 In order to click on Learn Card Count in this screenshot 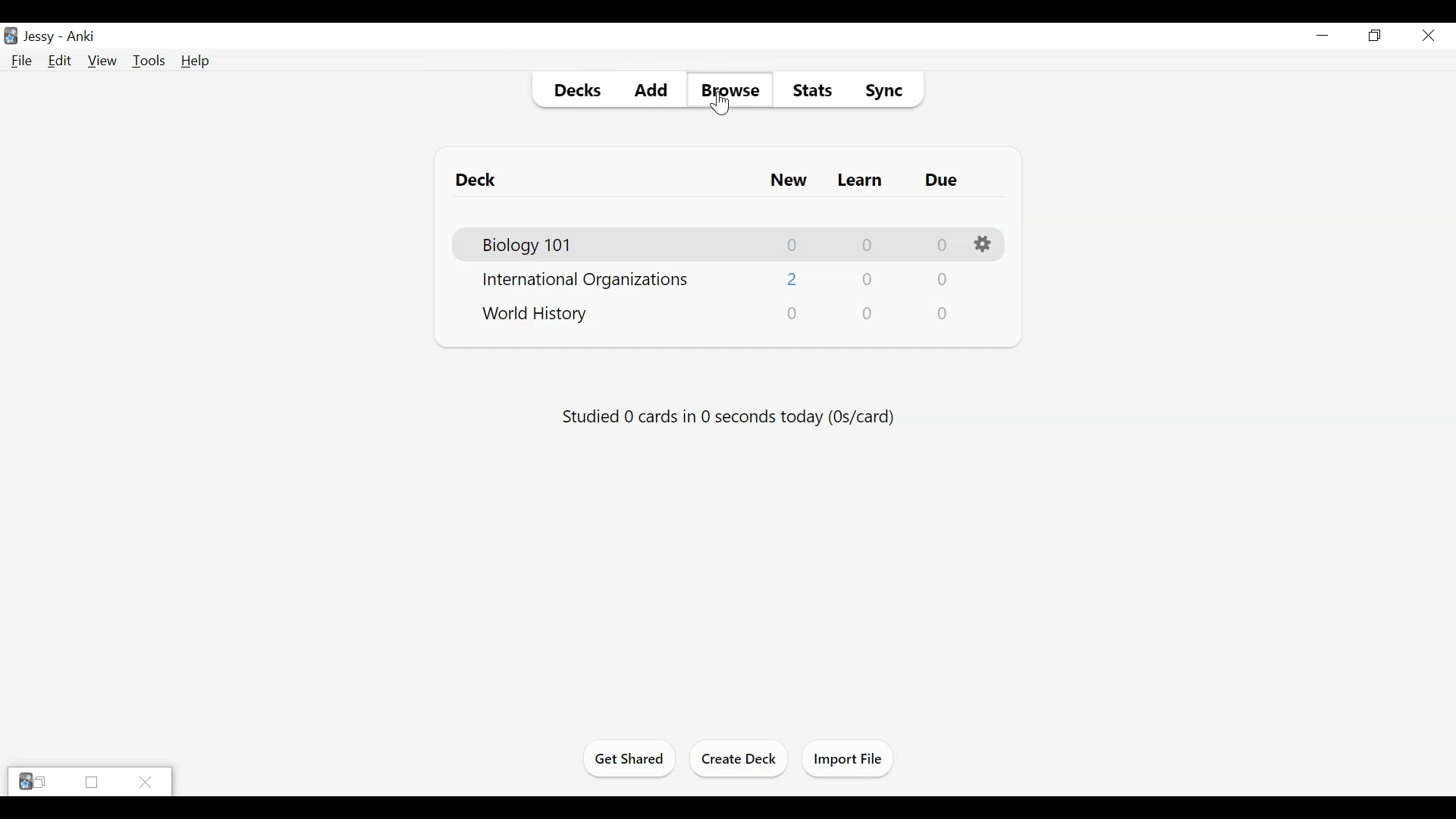, I will do `click(867, 278)`.